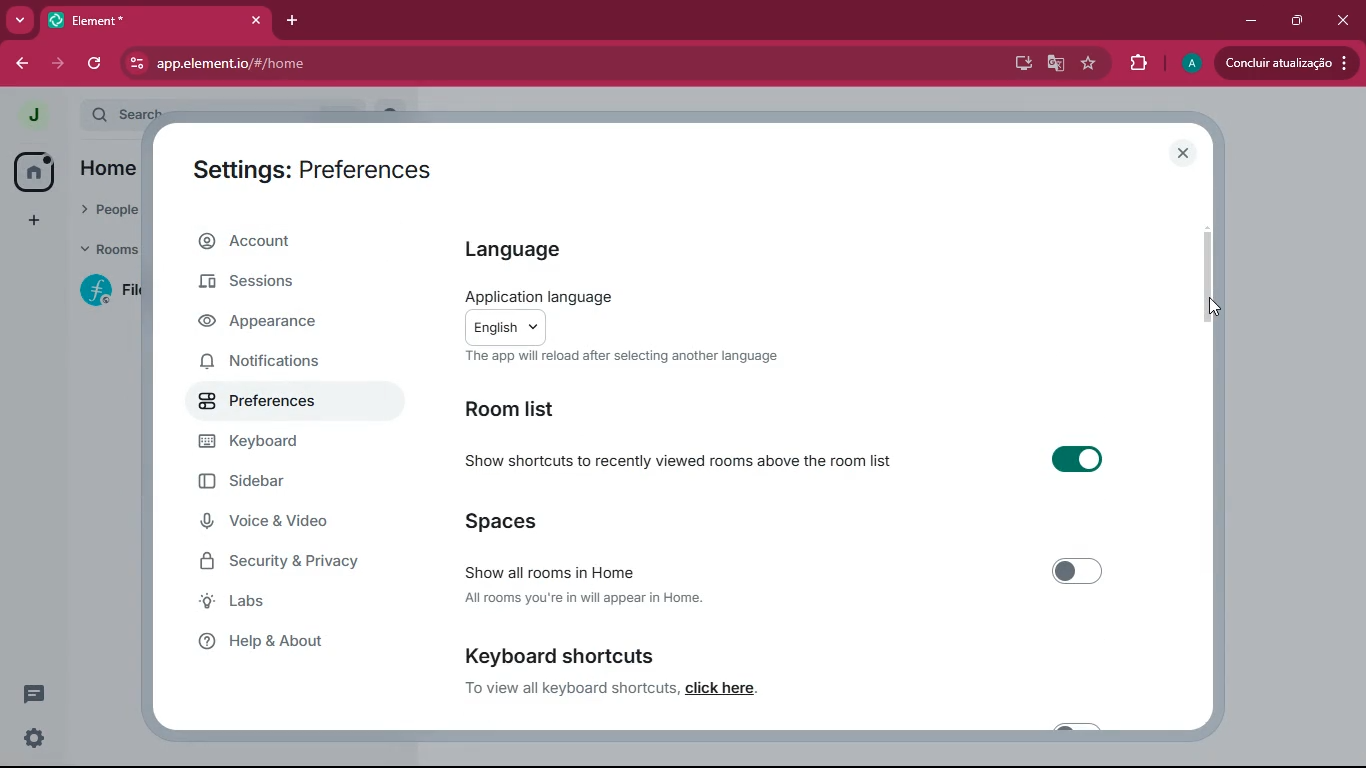 This screenshot has height=768, width=1366. Describe the element at coordinates (38, 170) in the screenshot. I see `home` at that location.